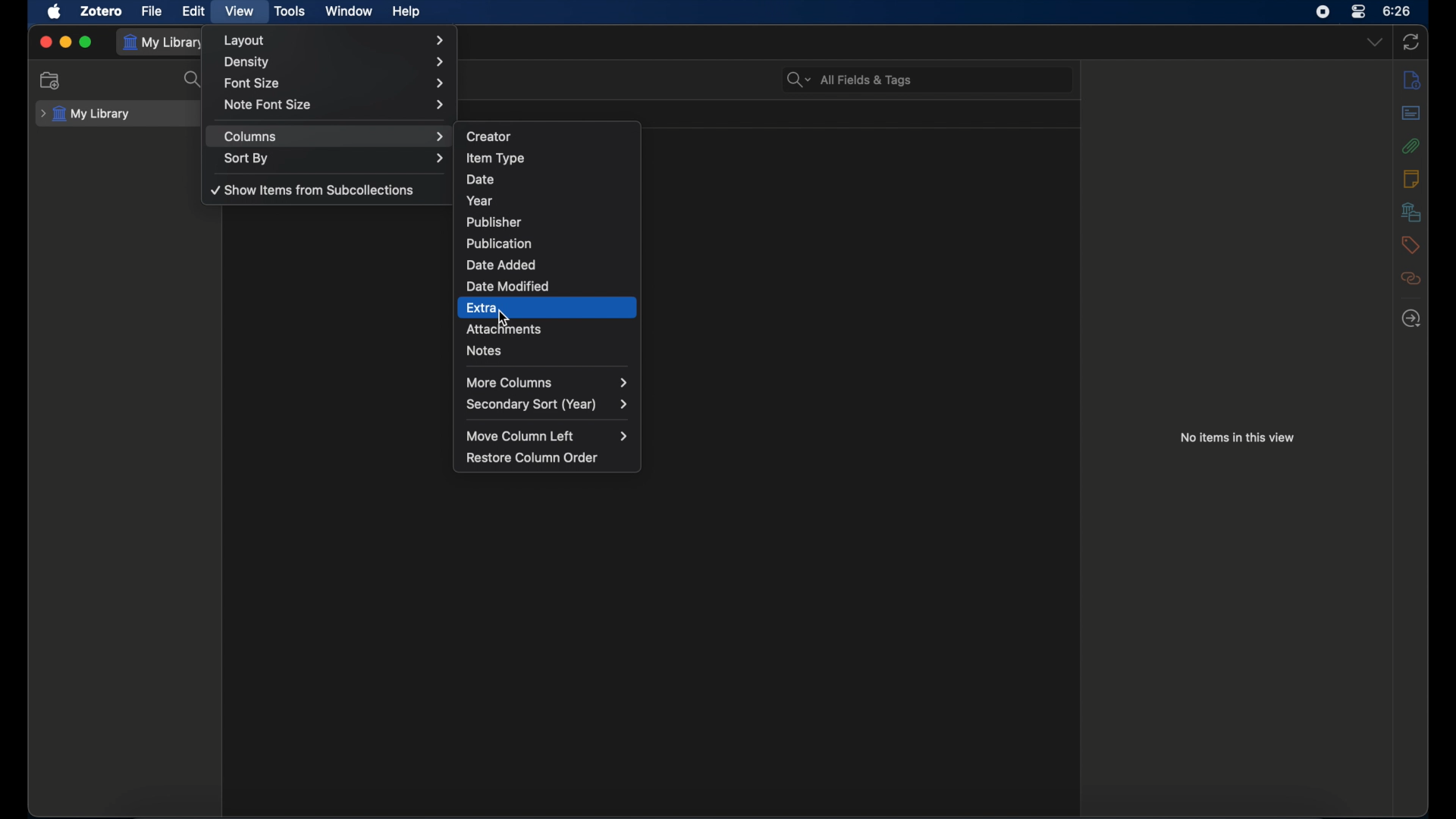 This screenshot has height=819, width=1456. What do you see at coordinates (548, 436) in the screenshot?
I see `move column left` at bounding box center [548, 436].